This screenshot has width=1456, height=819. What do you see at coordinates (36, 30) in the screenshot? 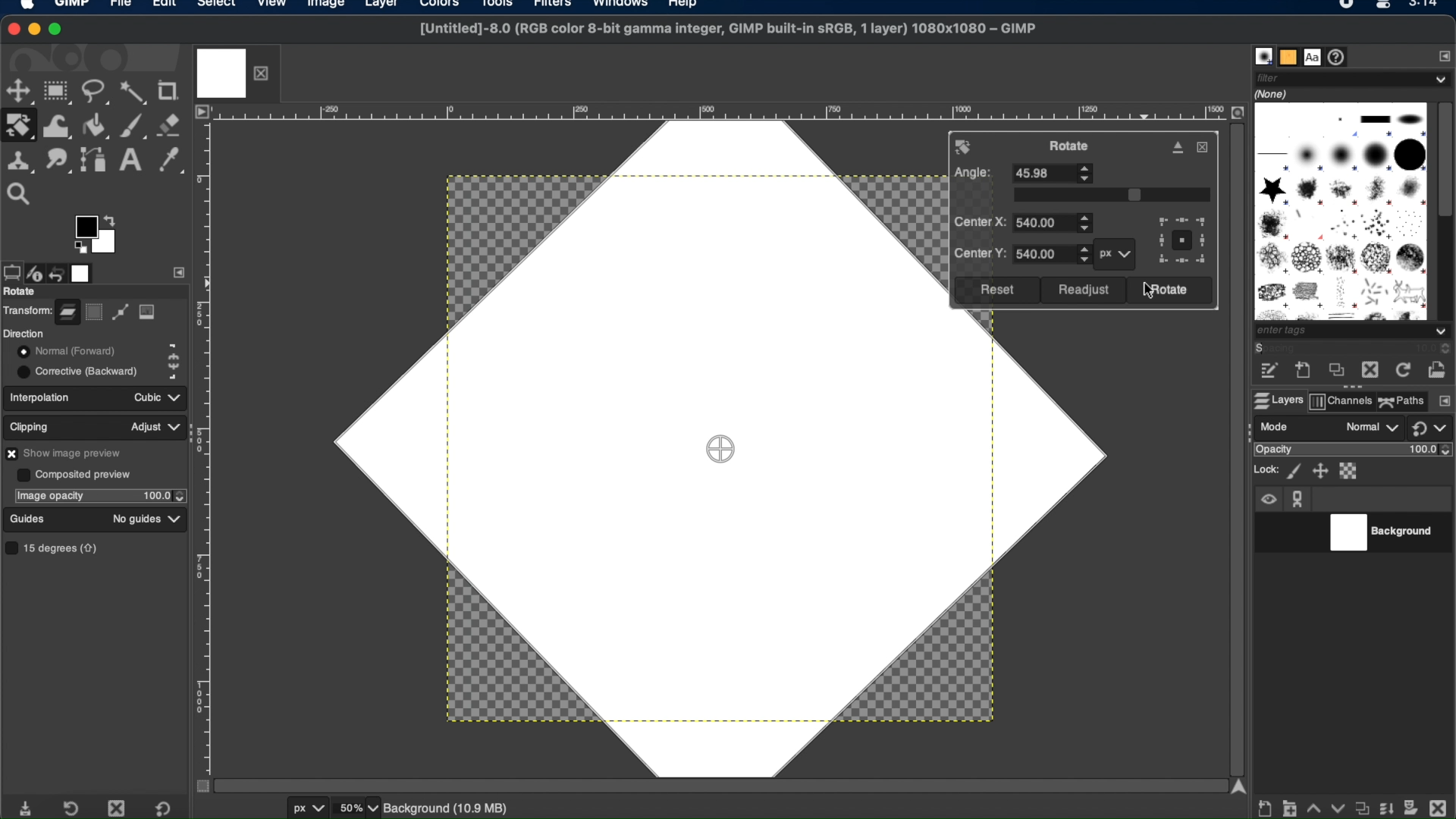
I see `minimize` at bounding box center [36, 30].